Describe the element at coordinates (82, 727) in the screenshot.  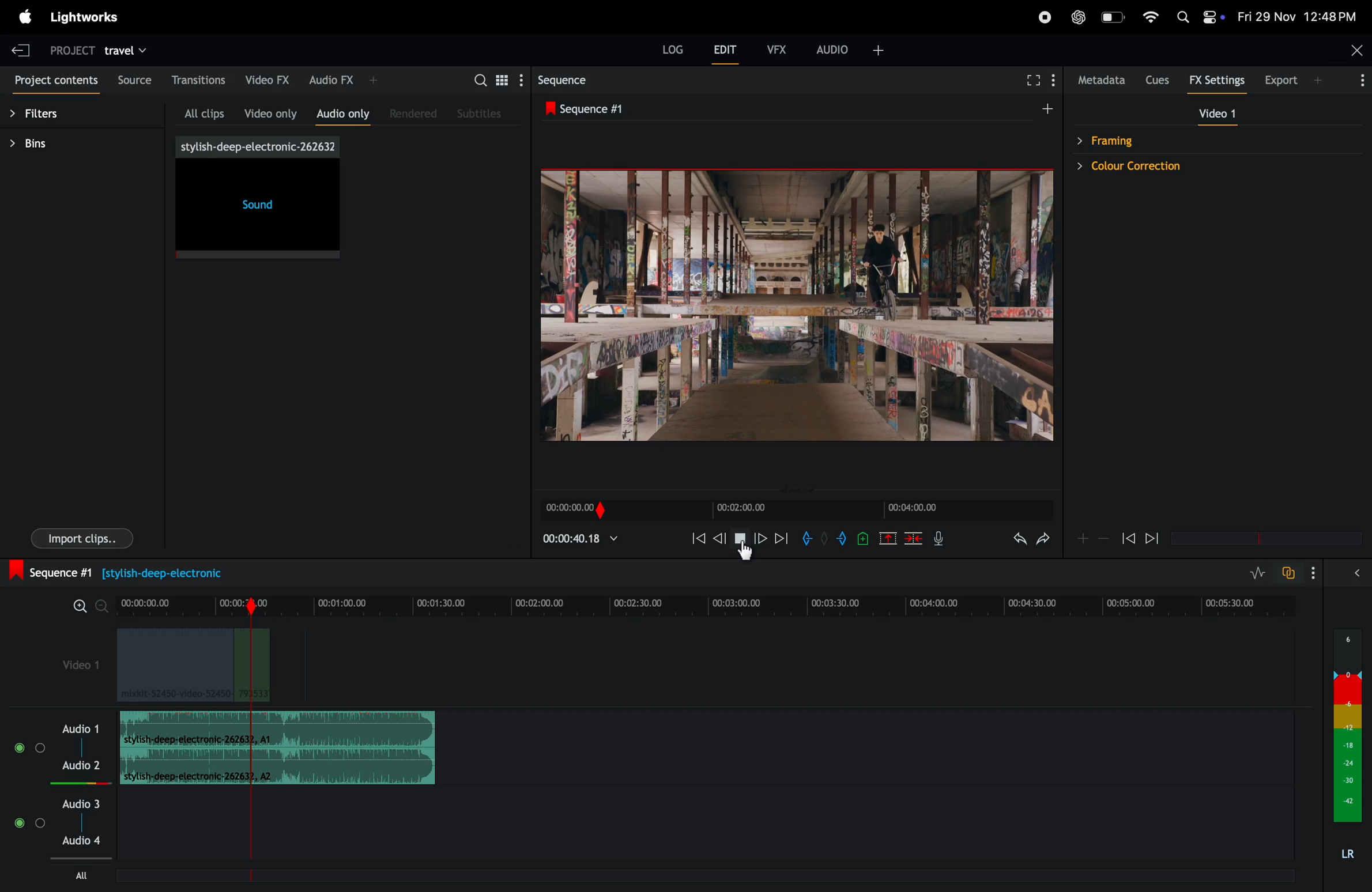
I see `audio` at that location.